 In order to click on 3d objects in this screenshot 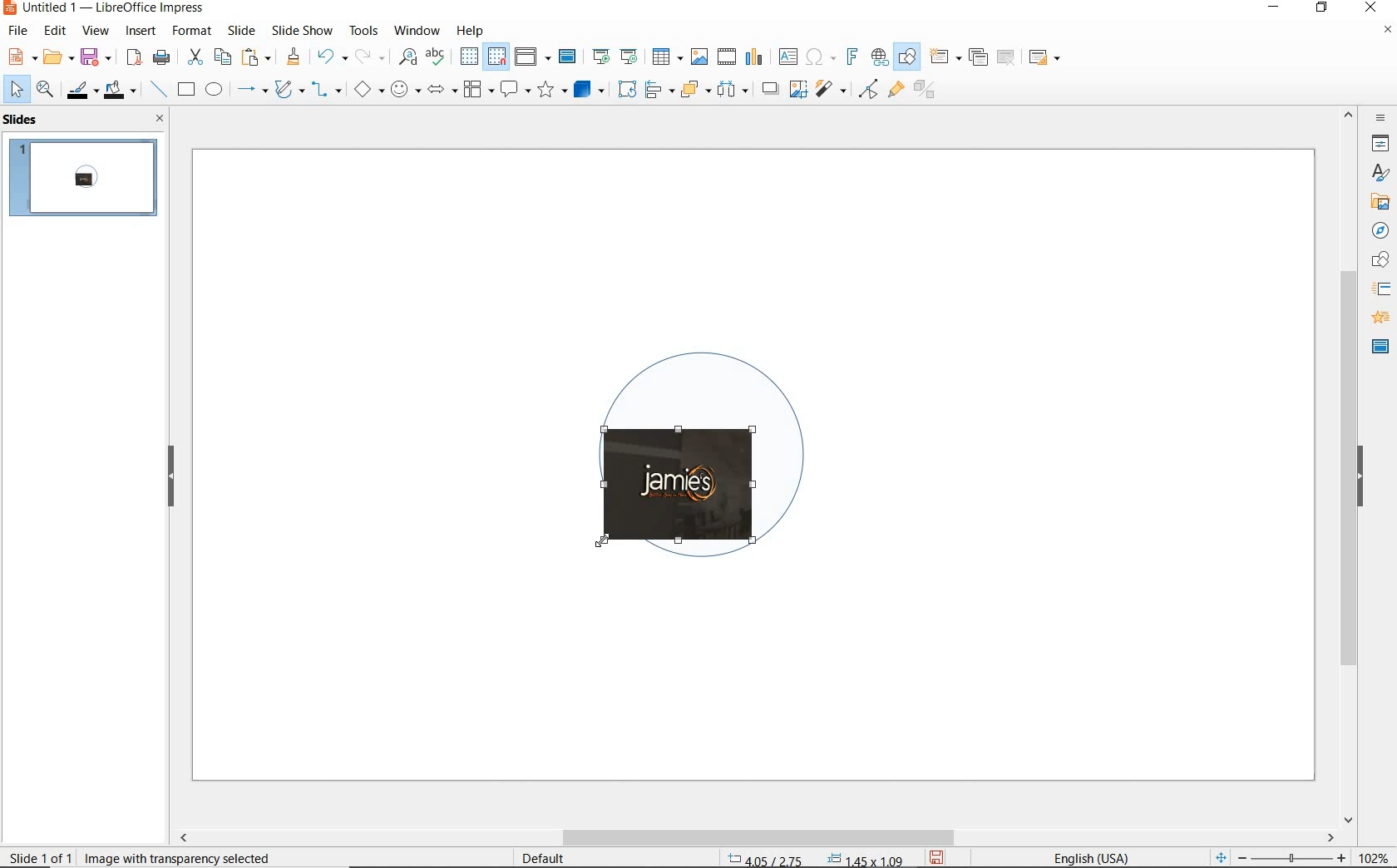, I will do `click(590, 90)`.